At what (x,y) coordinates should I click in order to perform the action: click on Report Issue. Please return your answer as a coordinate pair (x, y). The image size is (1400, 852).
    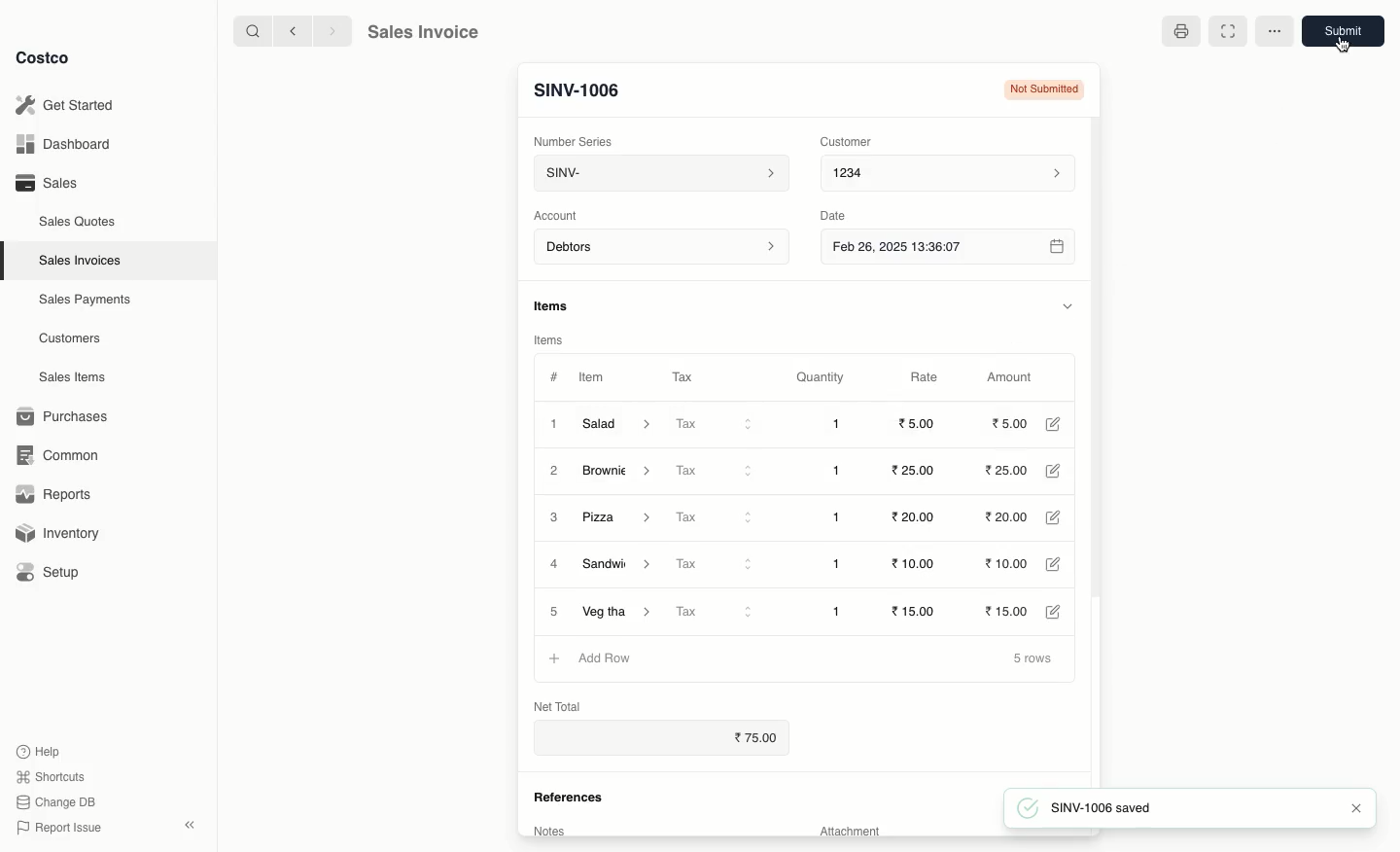
    Looking at the image, I should click on (55, 828).